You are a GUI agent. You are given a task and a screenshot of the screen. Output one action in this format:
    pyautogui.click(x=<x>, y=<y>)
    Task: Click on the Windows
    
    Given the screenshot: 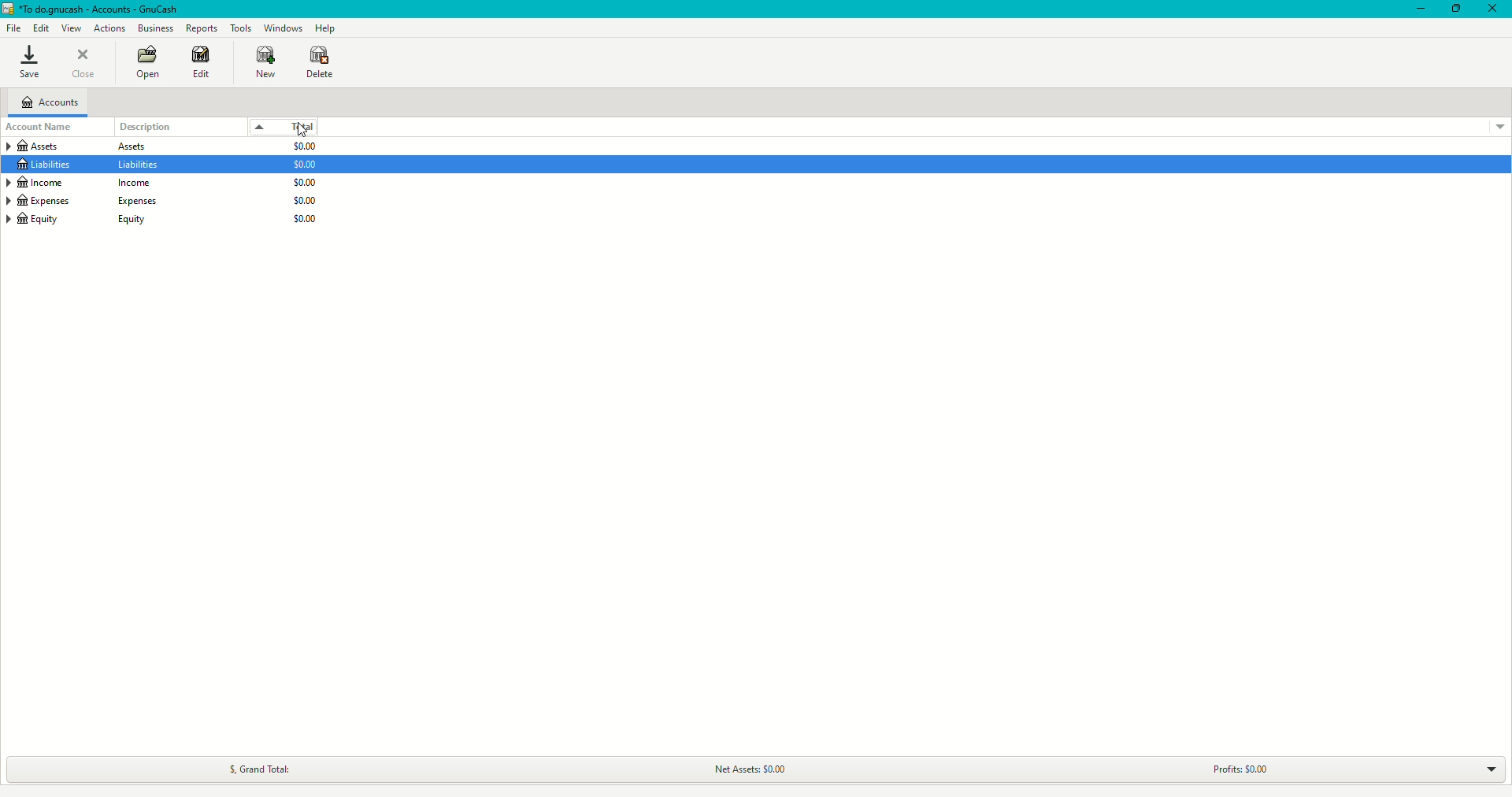 What is the action you would take?
    pyautogui.click(x=286, y=26)
    